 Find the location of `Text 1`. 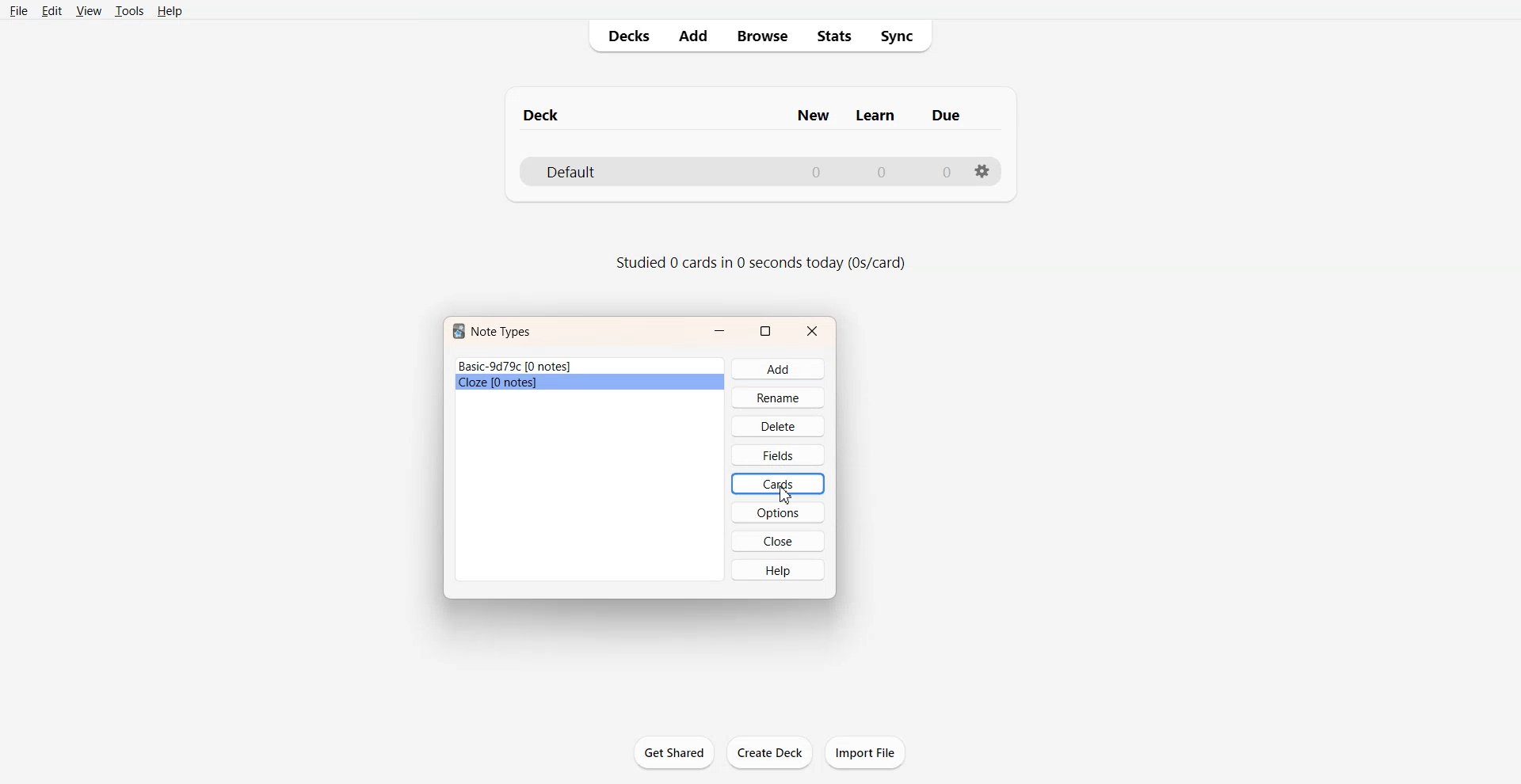

Text 1 is located at coordinates (747, 112).